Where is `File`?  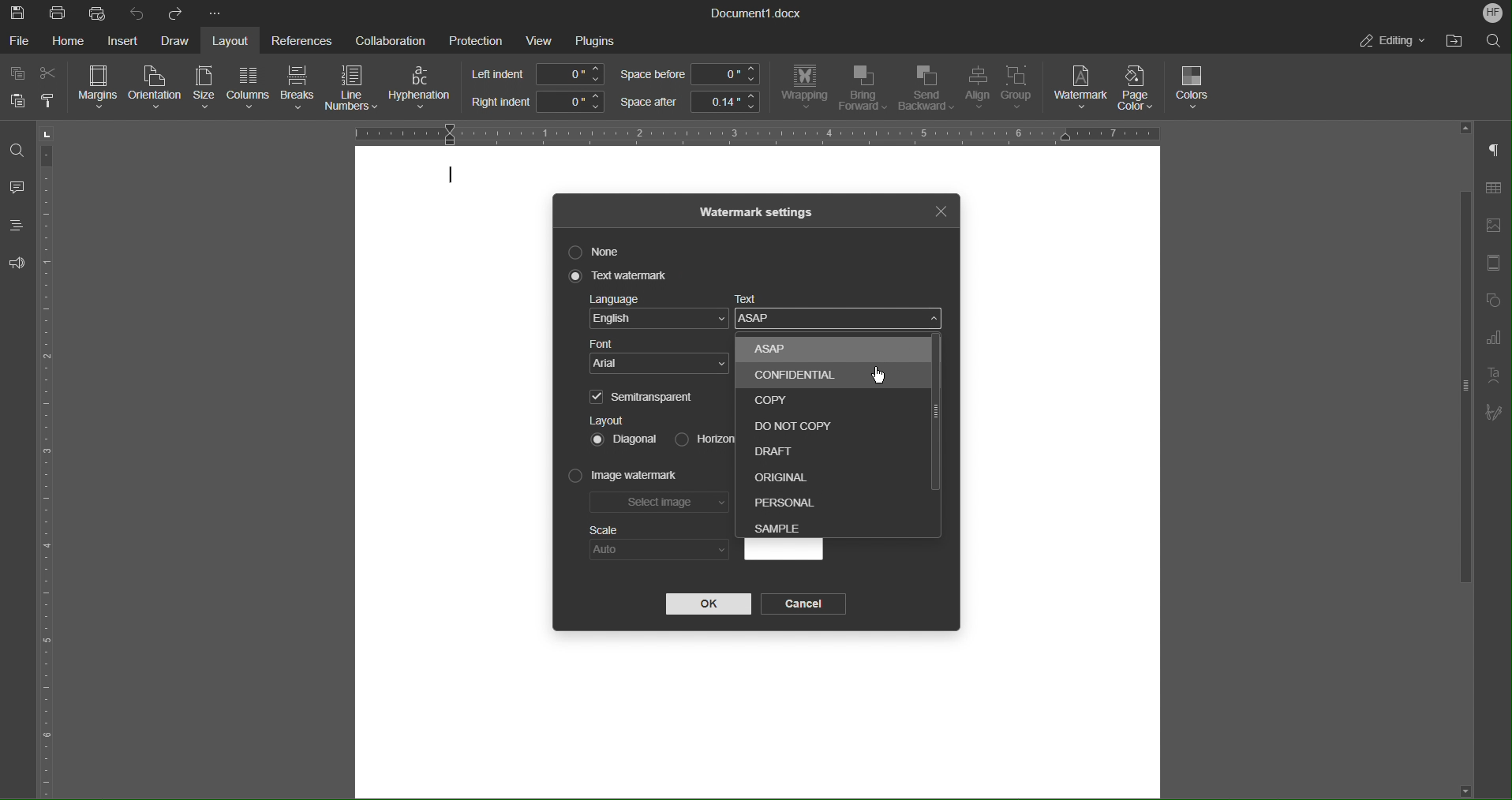 File is located at coordinates (21, 40).